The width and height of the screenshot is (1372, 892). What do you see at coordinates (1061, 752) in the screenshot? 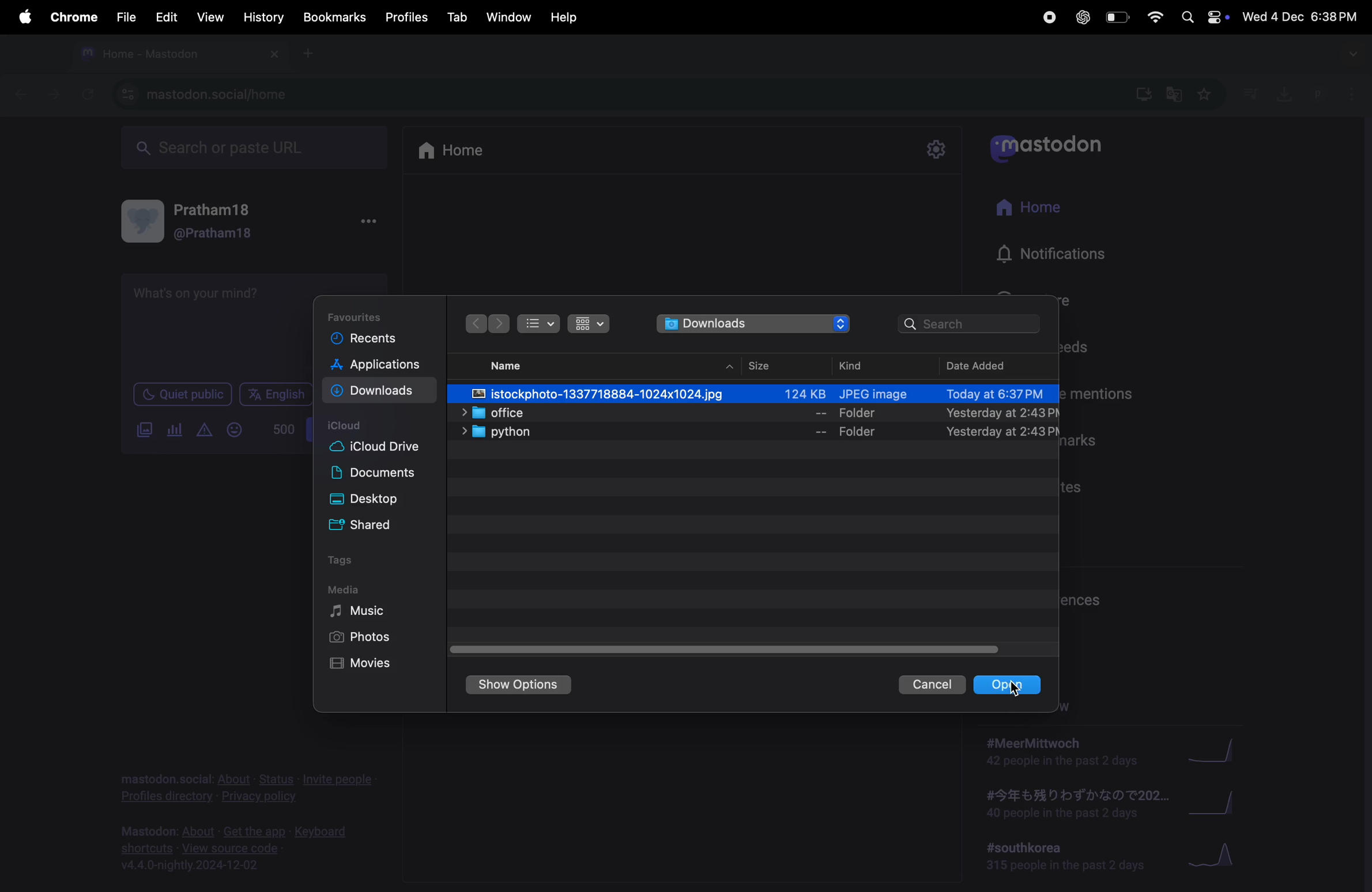
I see `# meermittwoch` at bounding box center [1061, 752].